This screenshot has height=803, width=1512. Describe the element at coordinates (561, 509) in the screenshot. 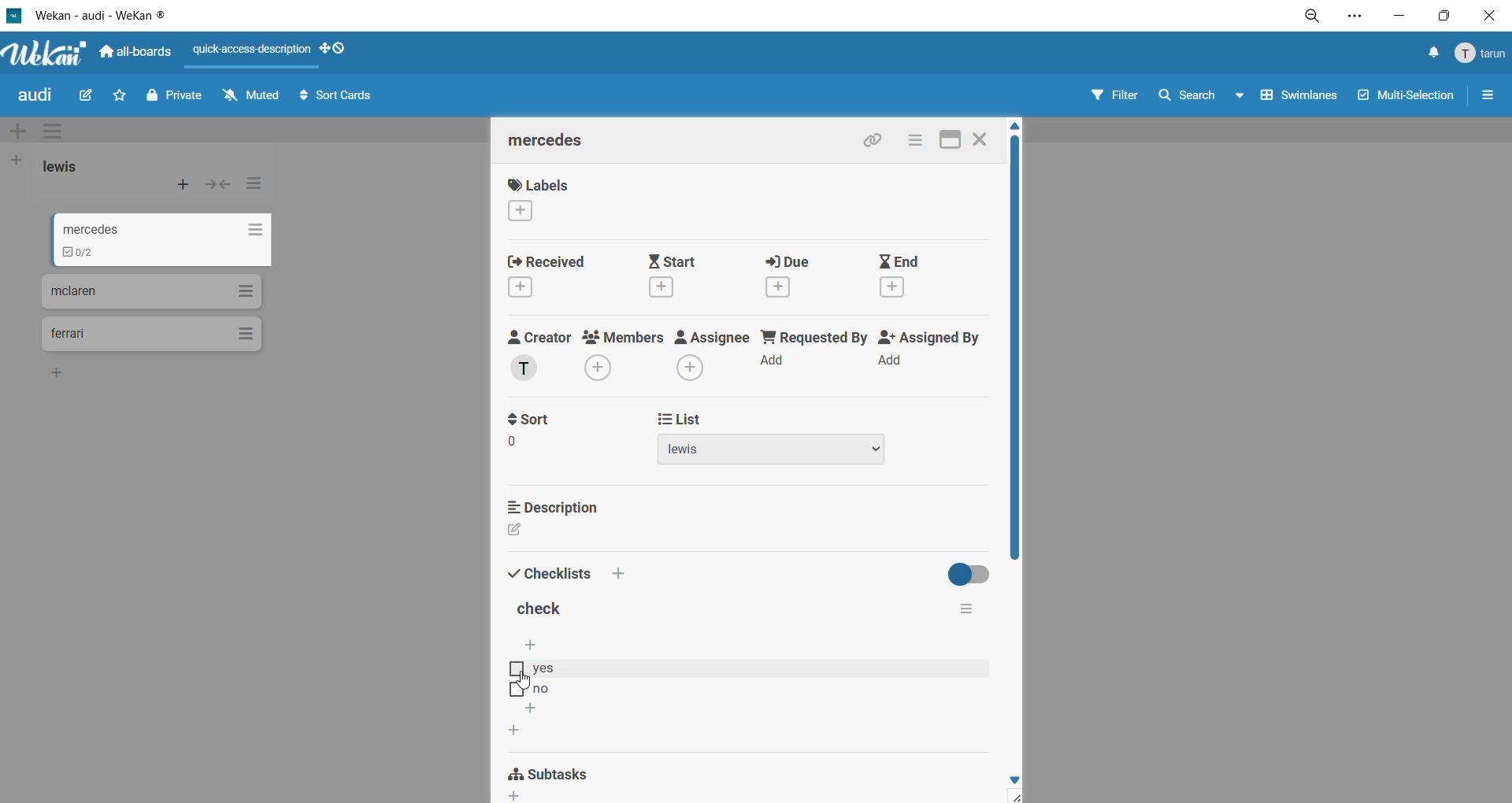

I see `description` at that location.